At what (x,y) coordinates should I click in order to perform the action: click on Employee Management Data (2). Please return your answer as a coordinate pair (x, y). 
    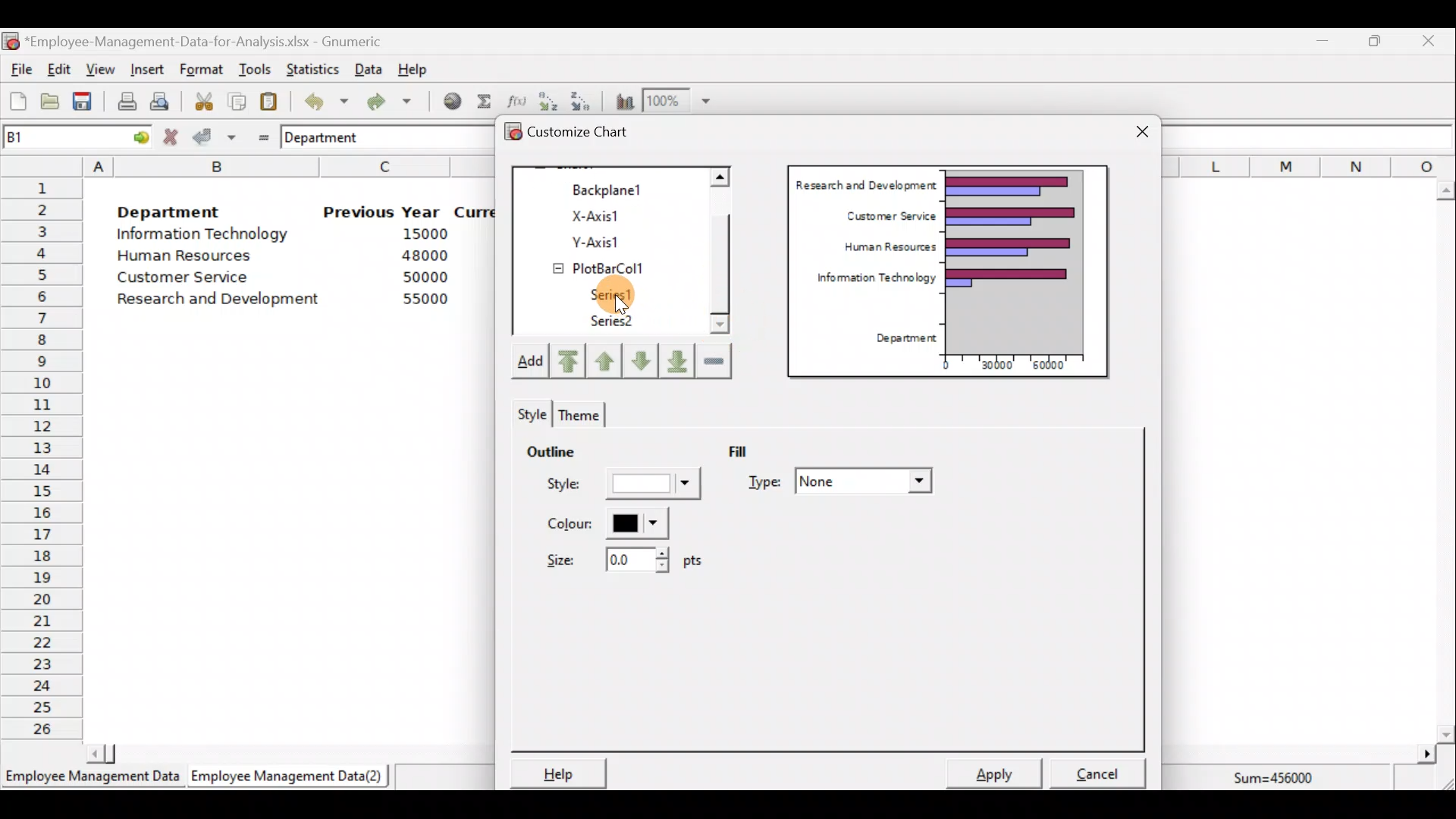
    Looking at the image, I should click on (292, 777).